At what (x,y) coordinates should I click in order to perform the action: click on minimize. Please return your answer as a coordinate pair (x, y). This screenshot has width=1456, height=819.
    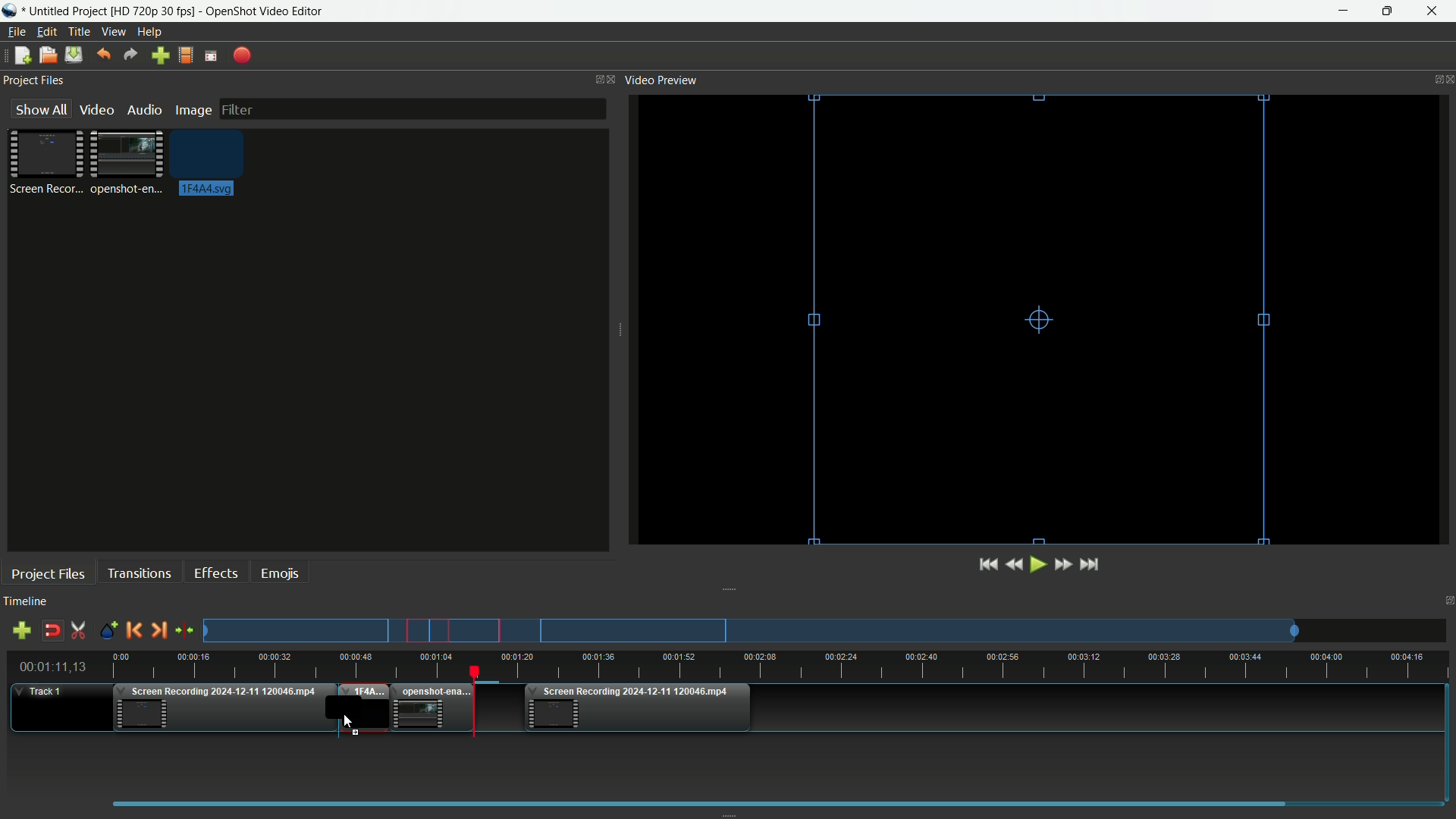
    Looking at the image, I should click on (1348, 11).